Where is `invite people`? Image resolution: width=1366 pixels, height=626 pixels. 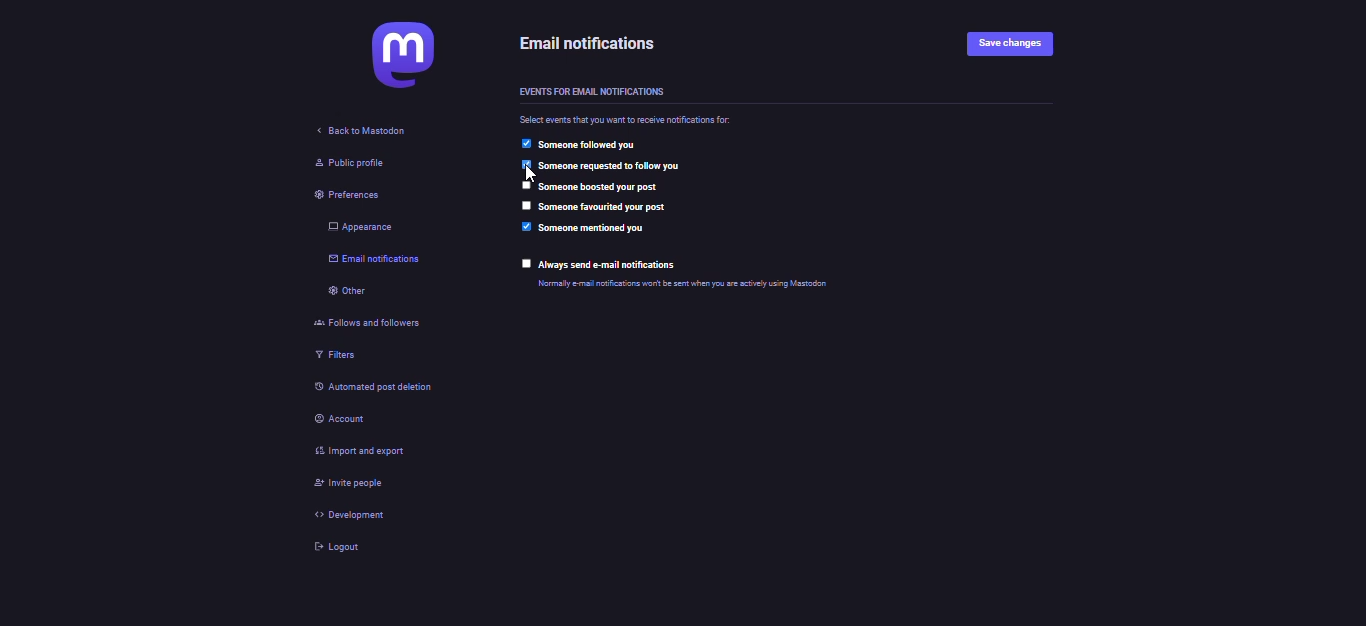 invite people is located at coordinates (343, 484).